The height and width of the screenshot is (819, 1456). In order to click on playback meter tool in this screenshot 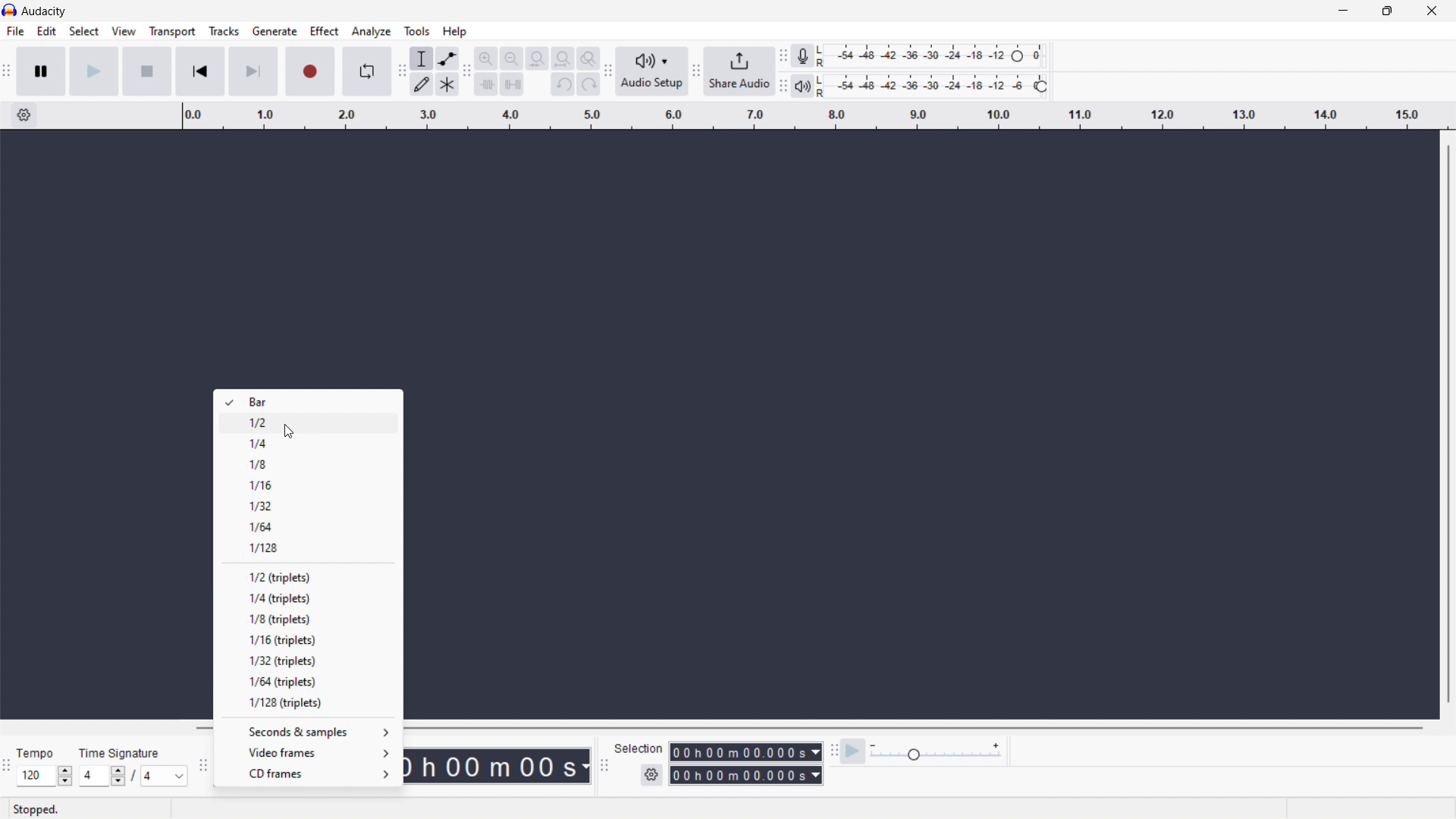, I will do `click(803, 86)`.